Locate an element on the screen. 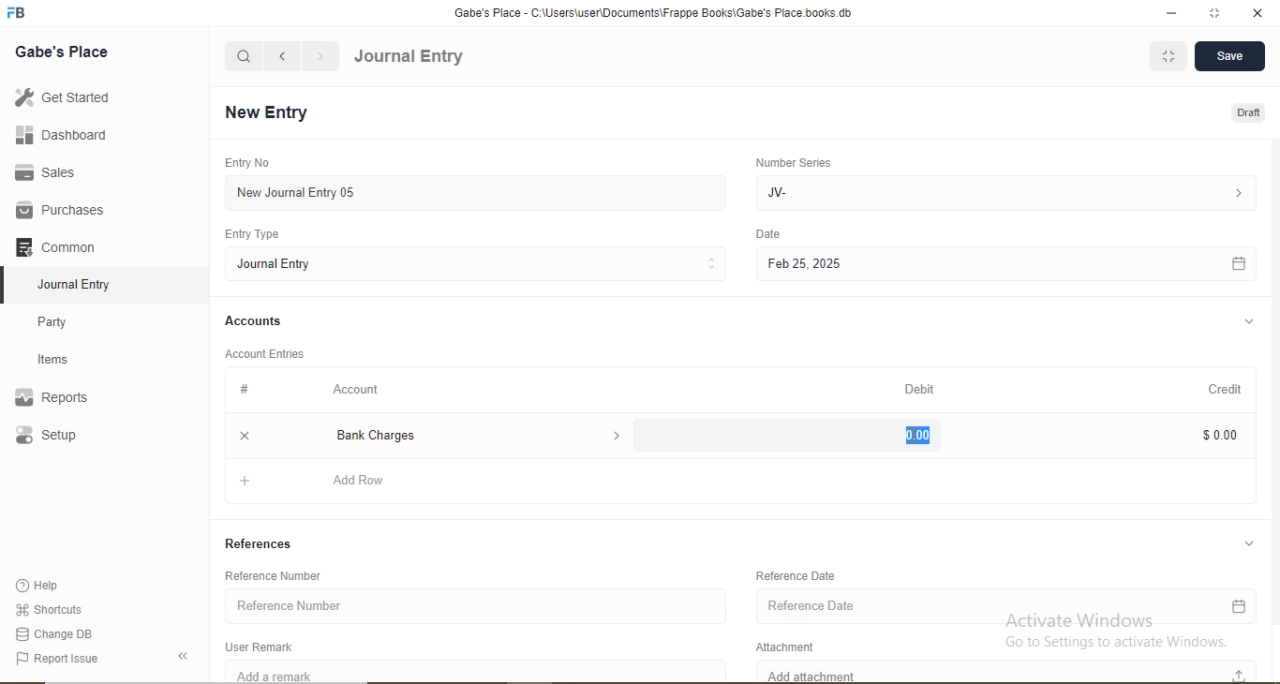 The width and height of the screenshot is (1280, 684). navigate forward is located at coordinates (322, 56).